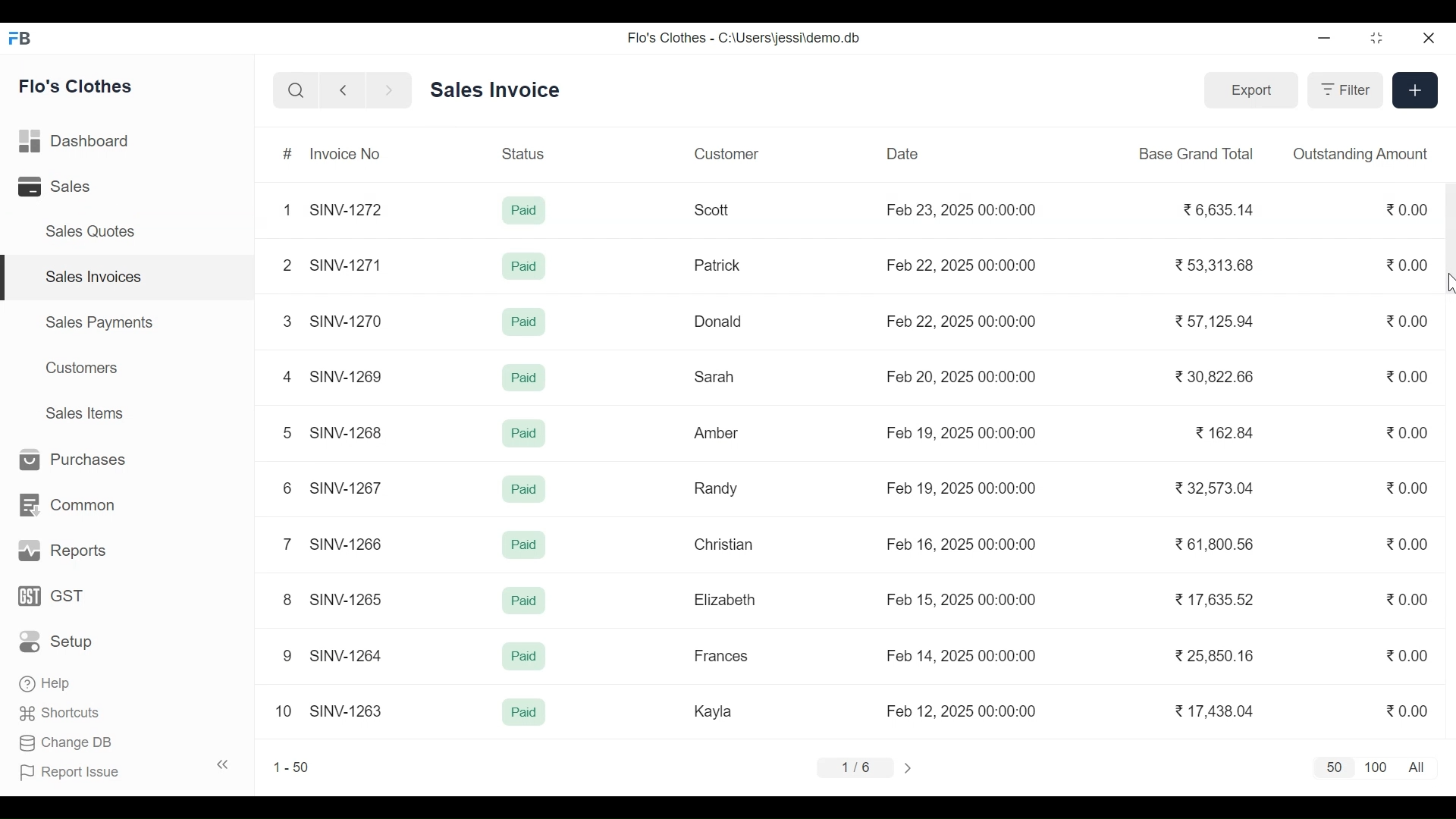 This screenshot has width=1456, height=819. What do you see at coordinates (1220, 211) in the screenshot?
I see `6,635.14` at bounding box center [1220, 211].